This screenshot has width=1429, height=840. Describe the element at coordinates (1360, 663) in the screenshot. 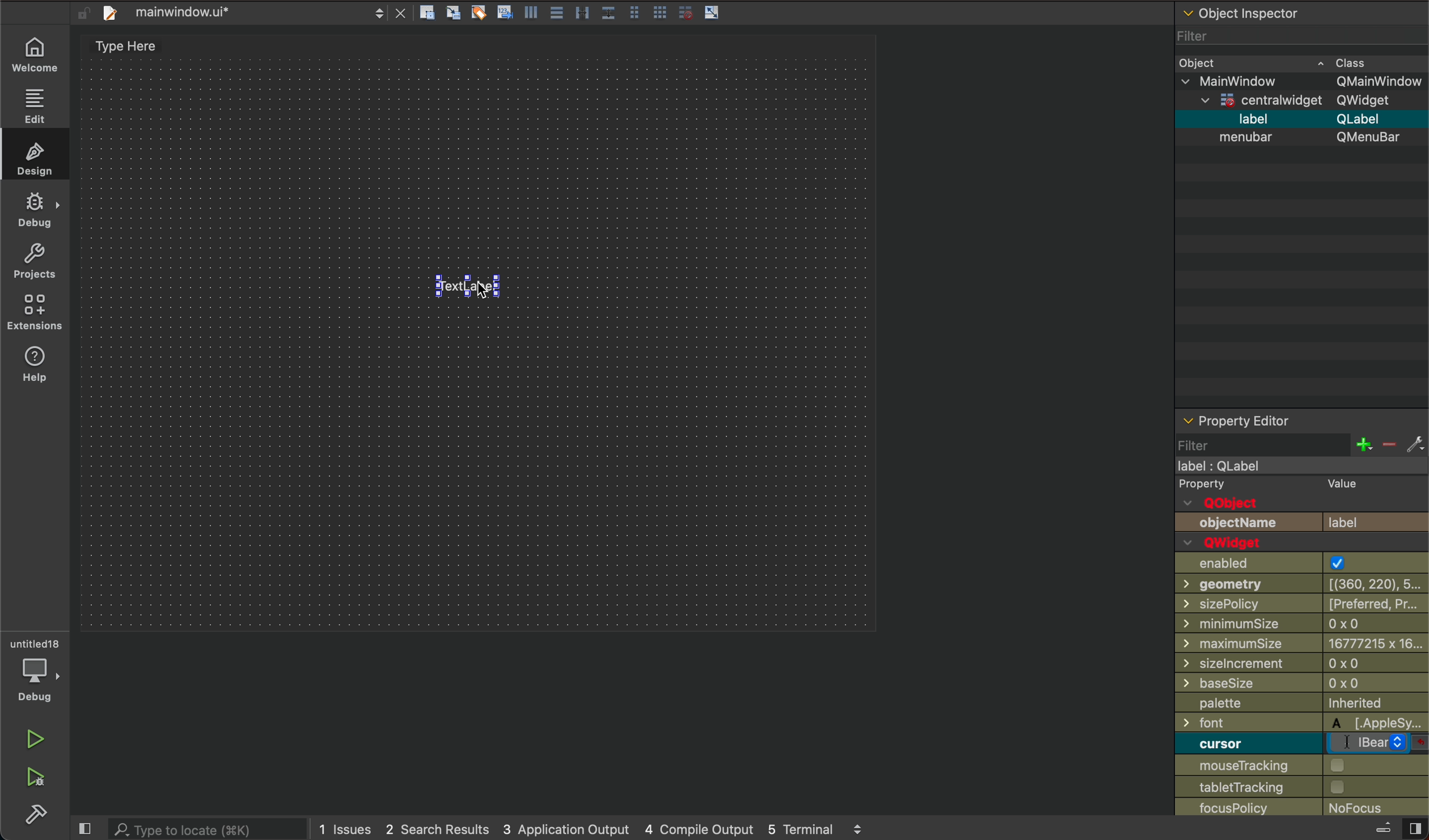

I see `0x0` at that location.